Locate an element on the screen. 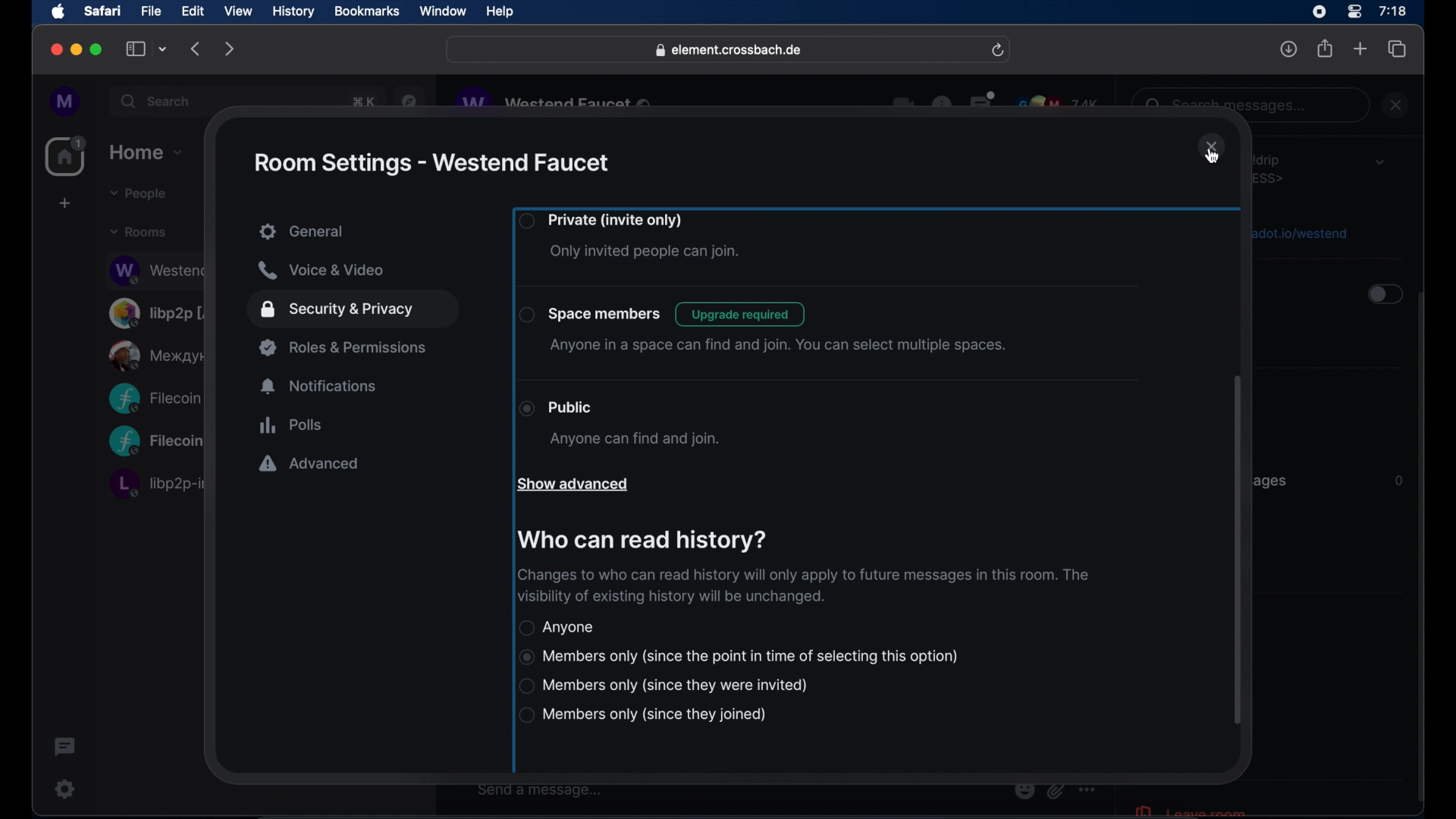  obscure is located at coordinates (160, 312).